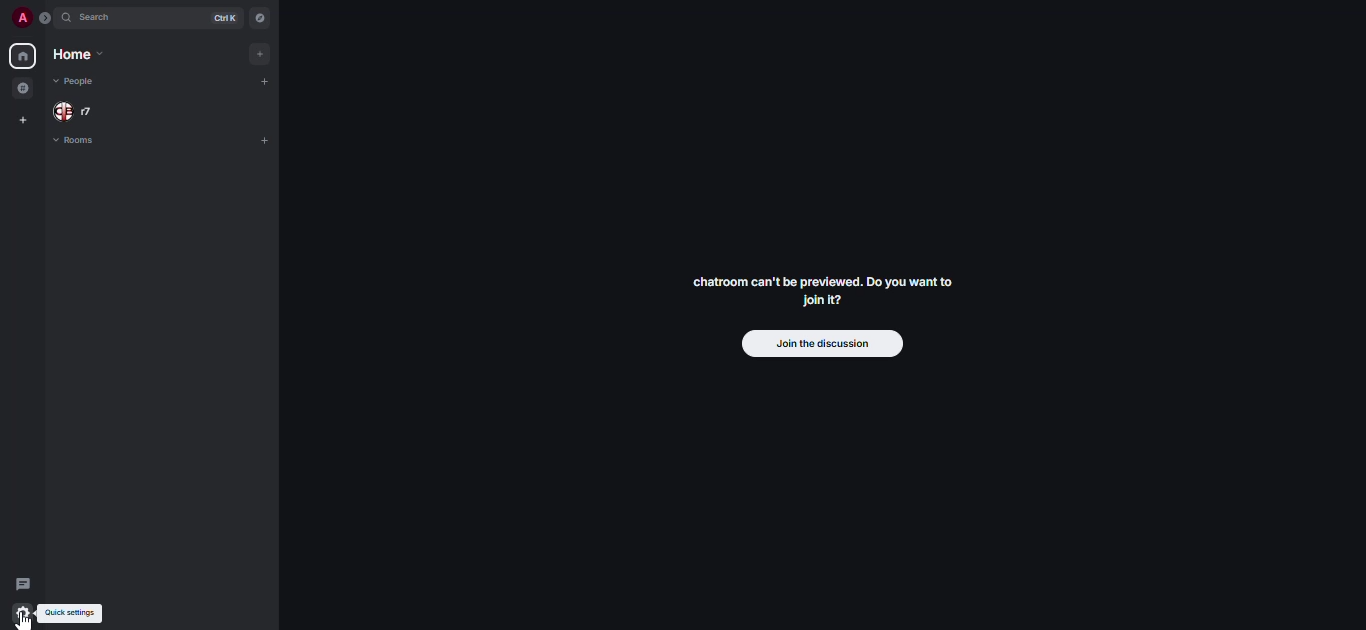  What do you see at coordinates (79, 111) in the screenshot?
I see `people` at bounding box center [79, 111].